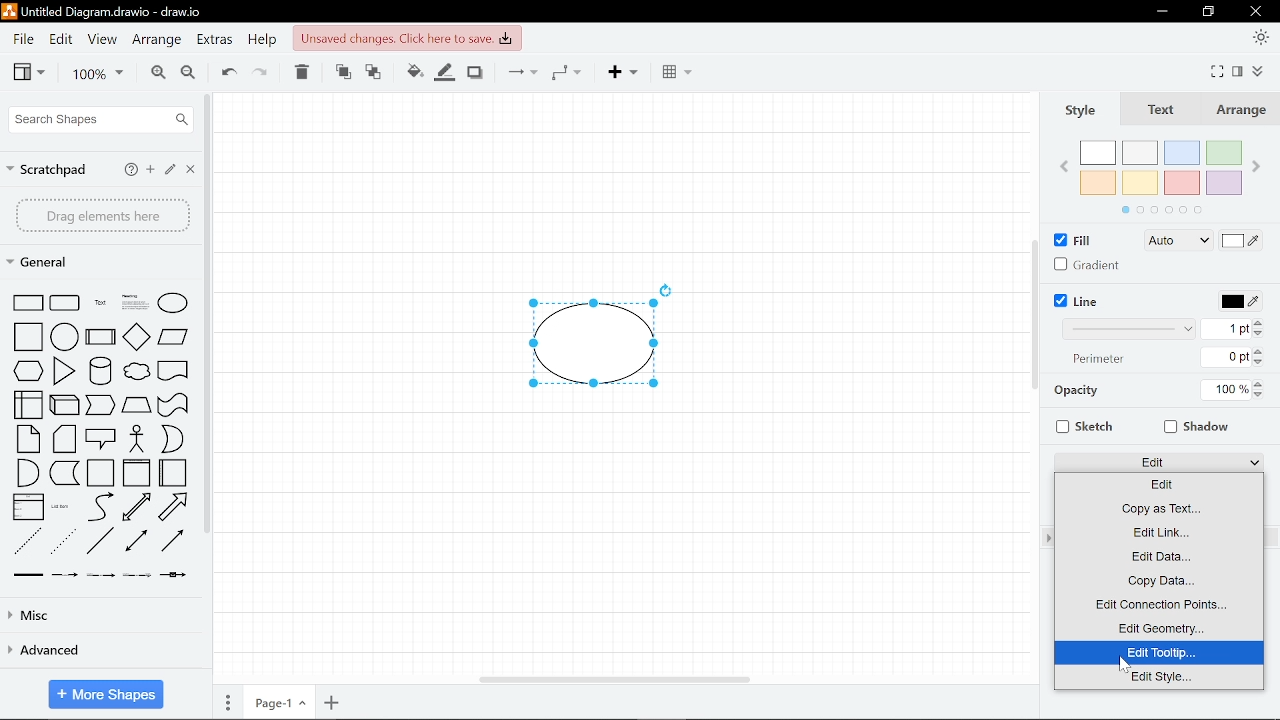 Image resolution: width=1280 pixels, height=720 pixels. I want to click on Fullscreen, so click(1218, 70).